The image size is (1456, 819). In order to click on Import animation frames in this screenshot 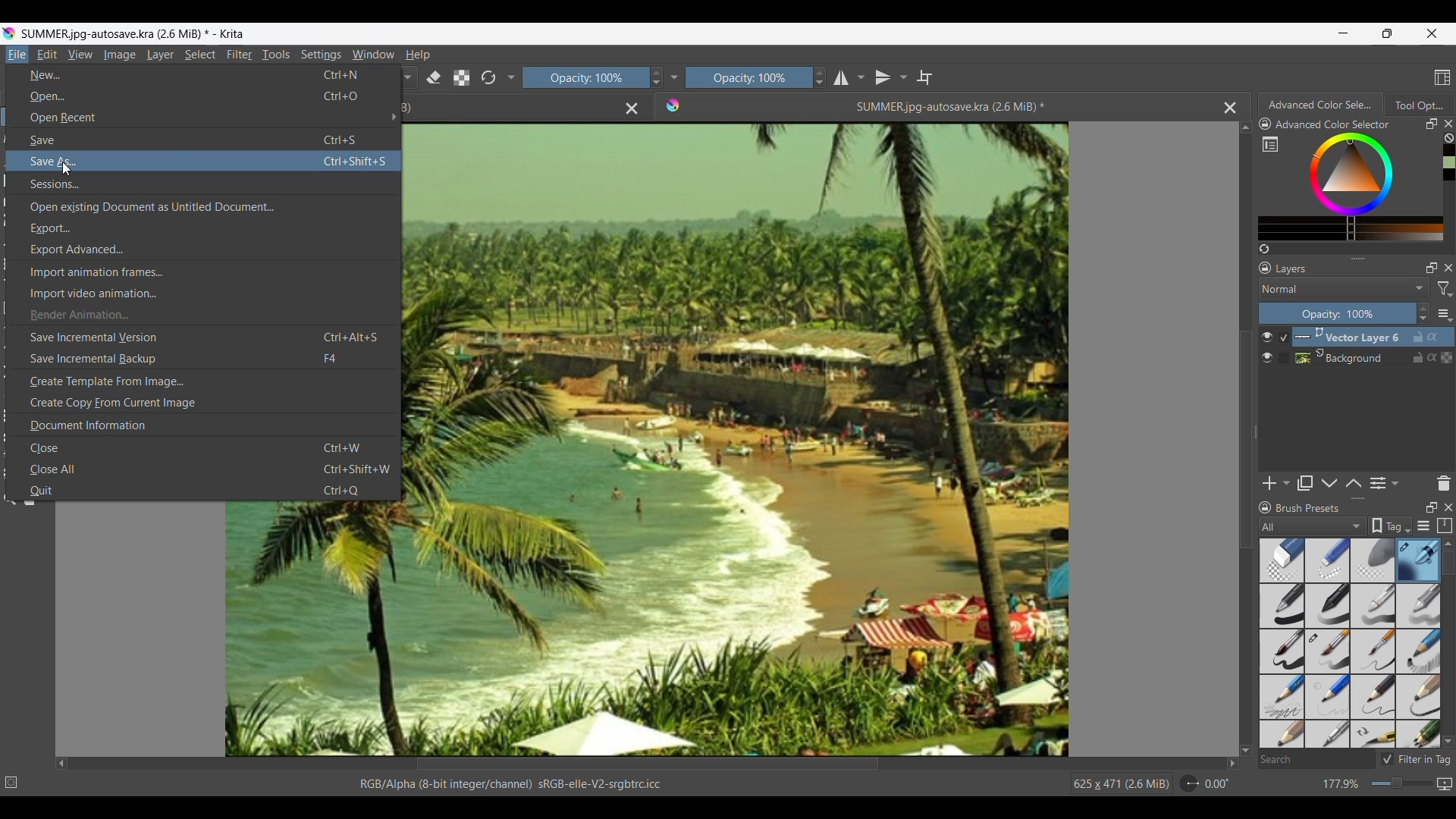, I will do `click(205, 272)`.